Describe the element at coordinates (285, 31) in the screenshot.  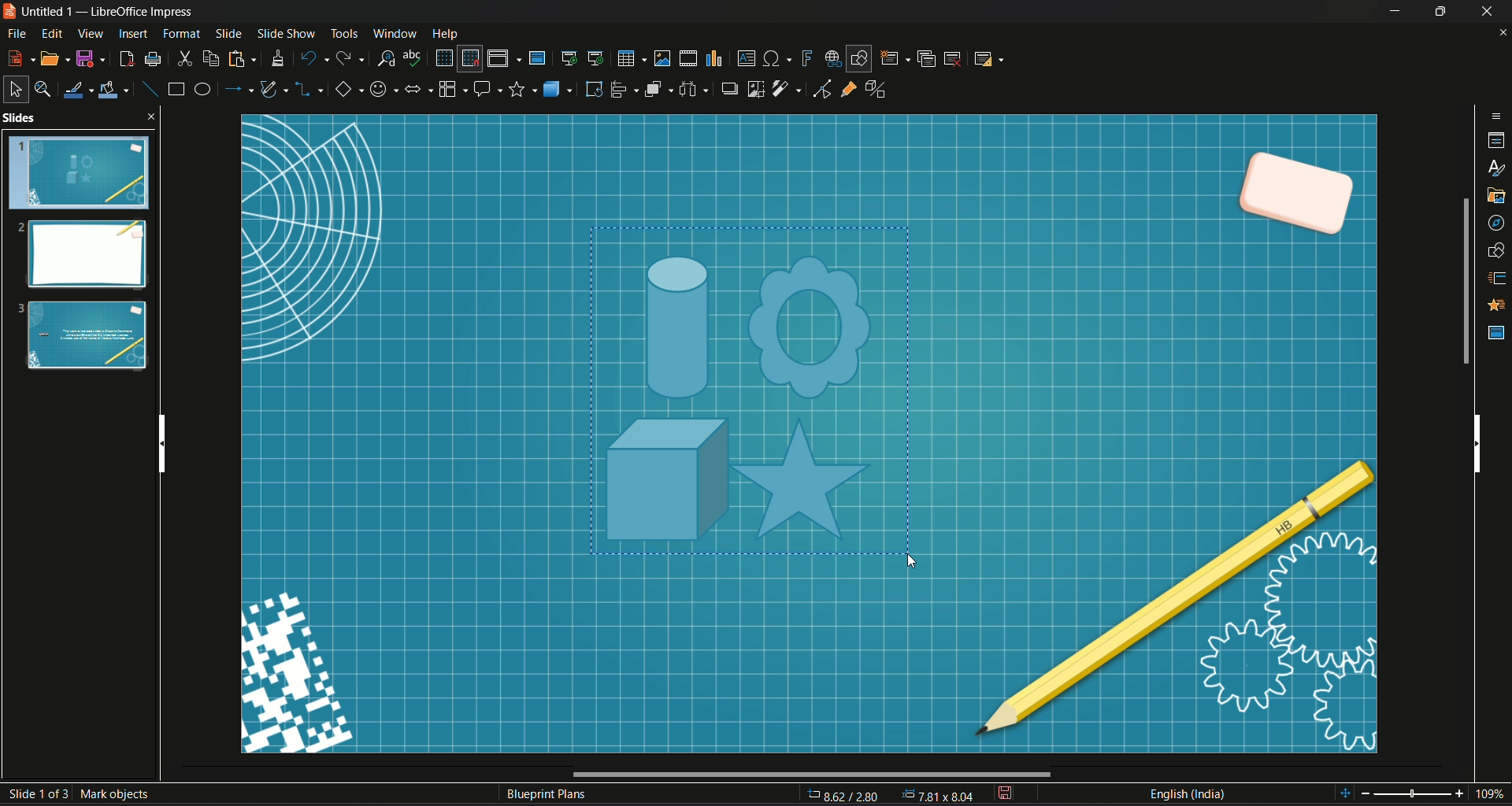
I see `Slide show` at that location.